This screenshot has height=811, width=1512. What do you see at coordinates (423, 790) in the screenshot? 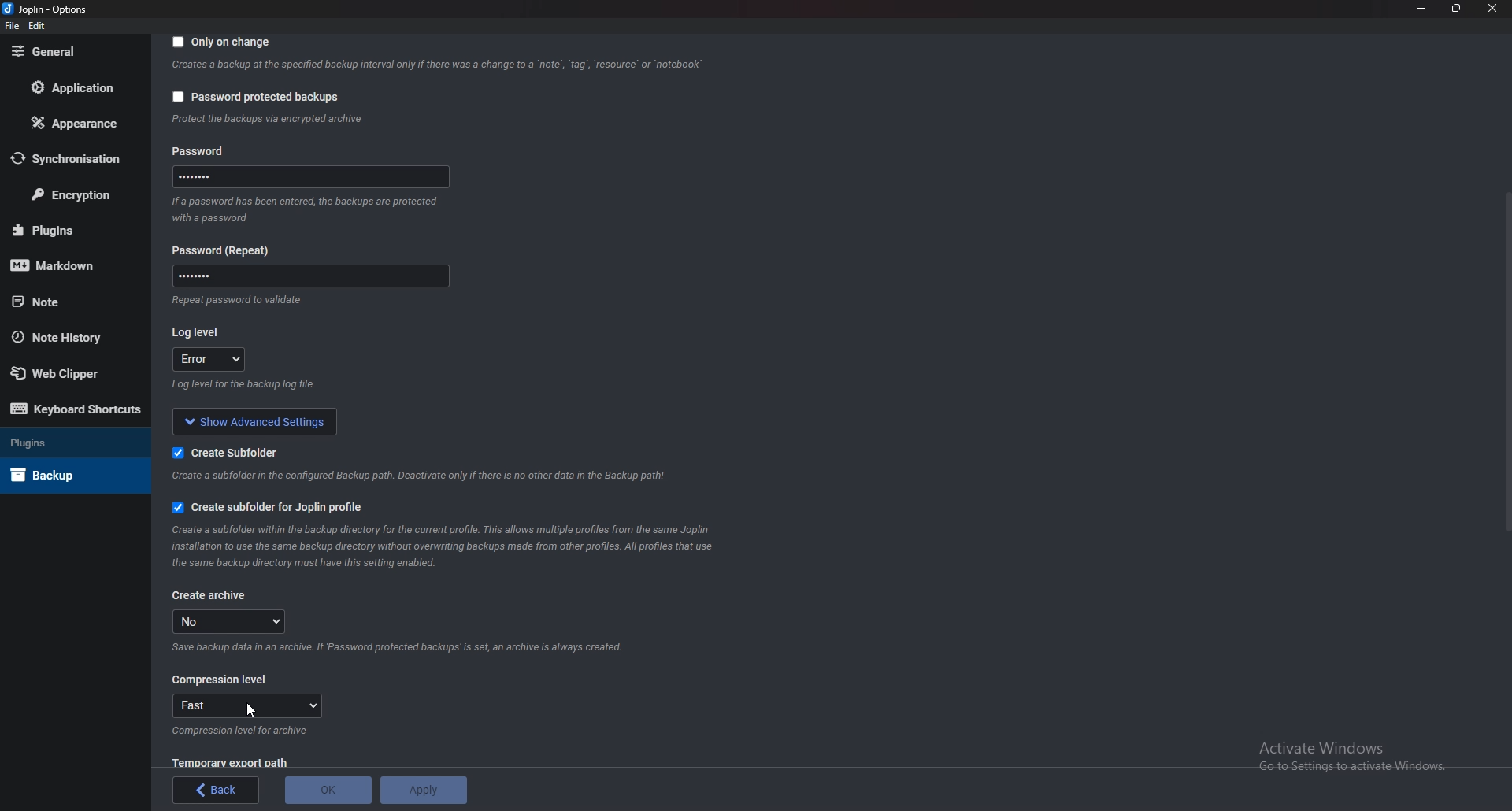
I see `Apply` at bounding box center [423, 790].